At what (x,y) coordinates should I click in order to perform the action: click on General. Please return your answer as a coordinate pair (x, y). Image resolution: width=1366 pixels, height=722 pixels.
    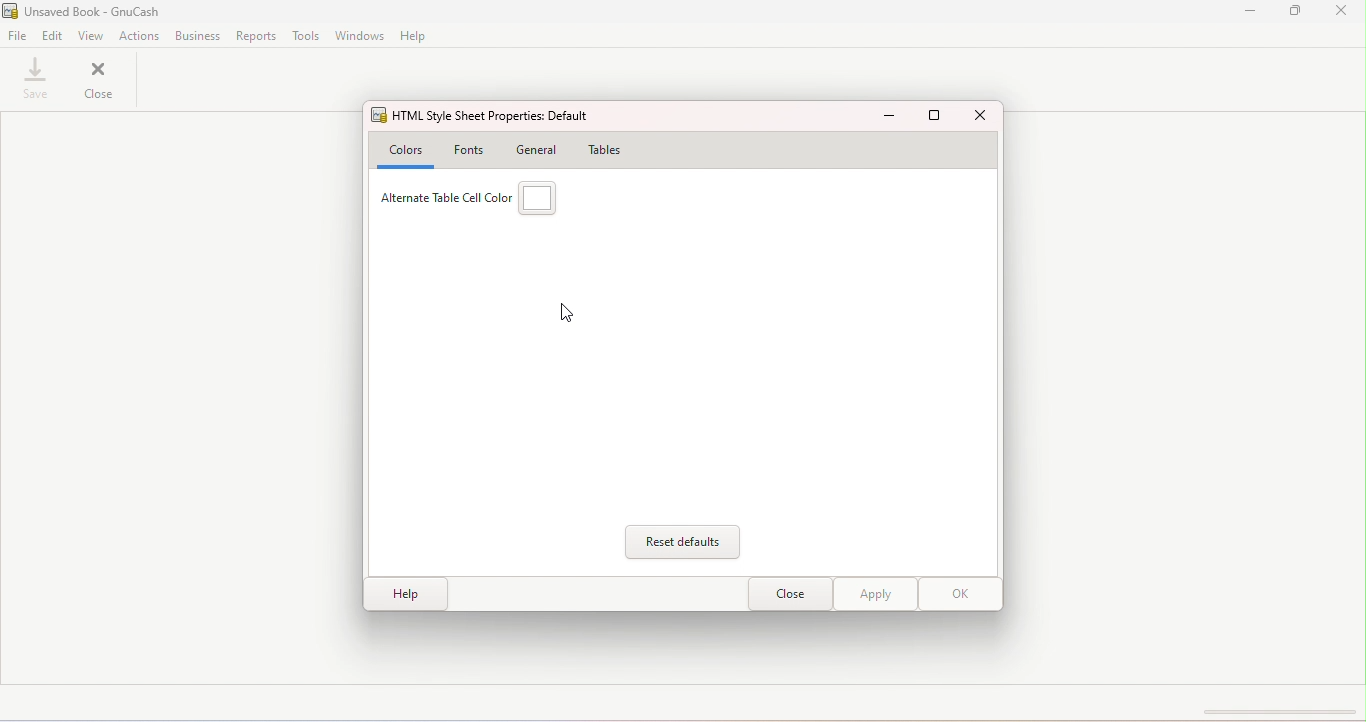
    Looking at the image, I should click on (537, 150).